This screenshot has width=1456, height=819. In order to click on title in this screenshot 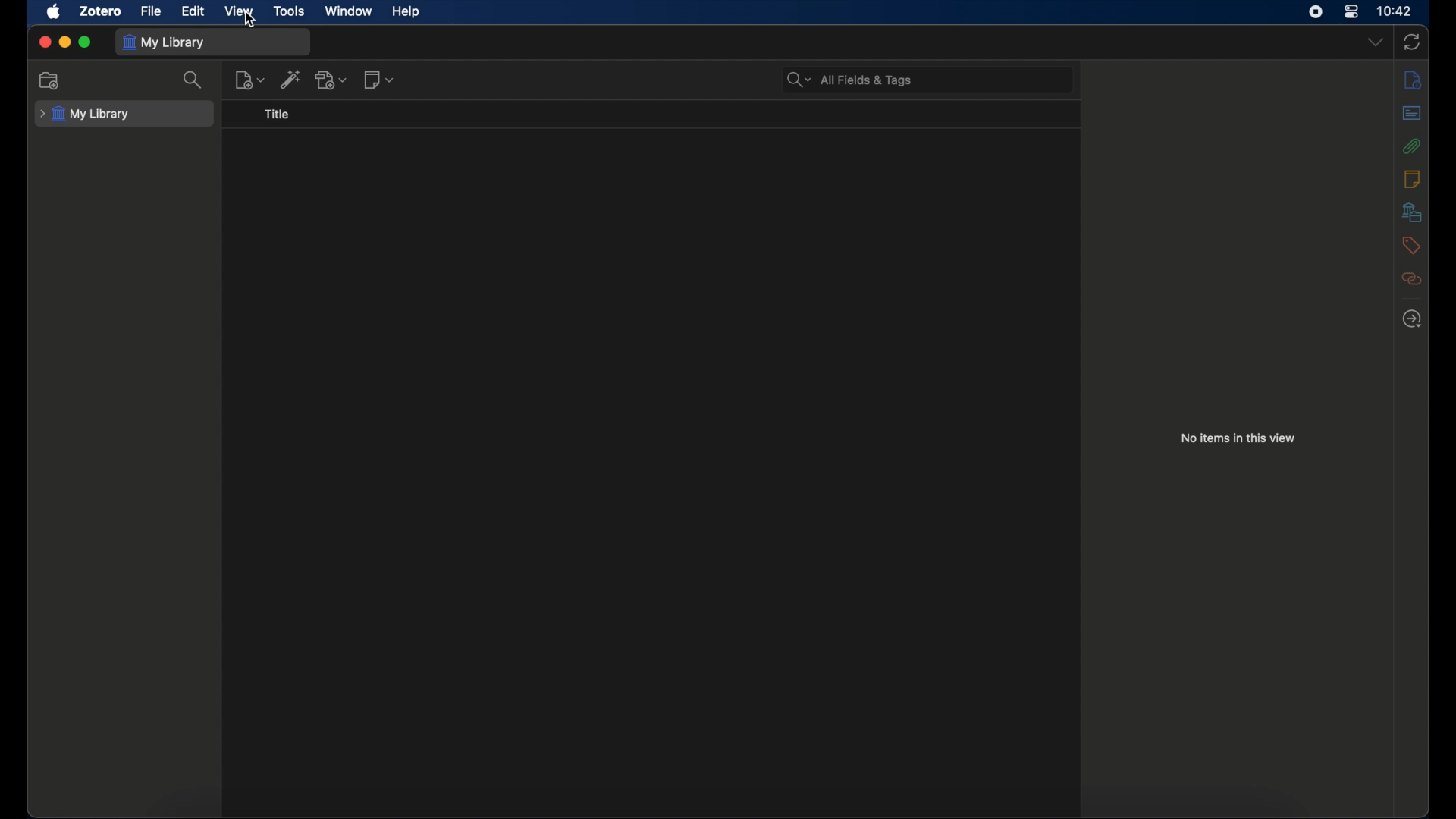, I will do `click(276, 115)`.